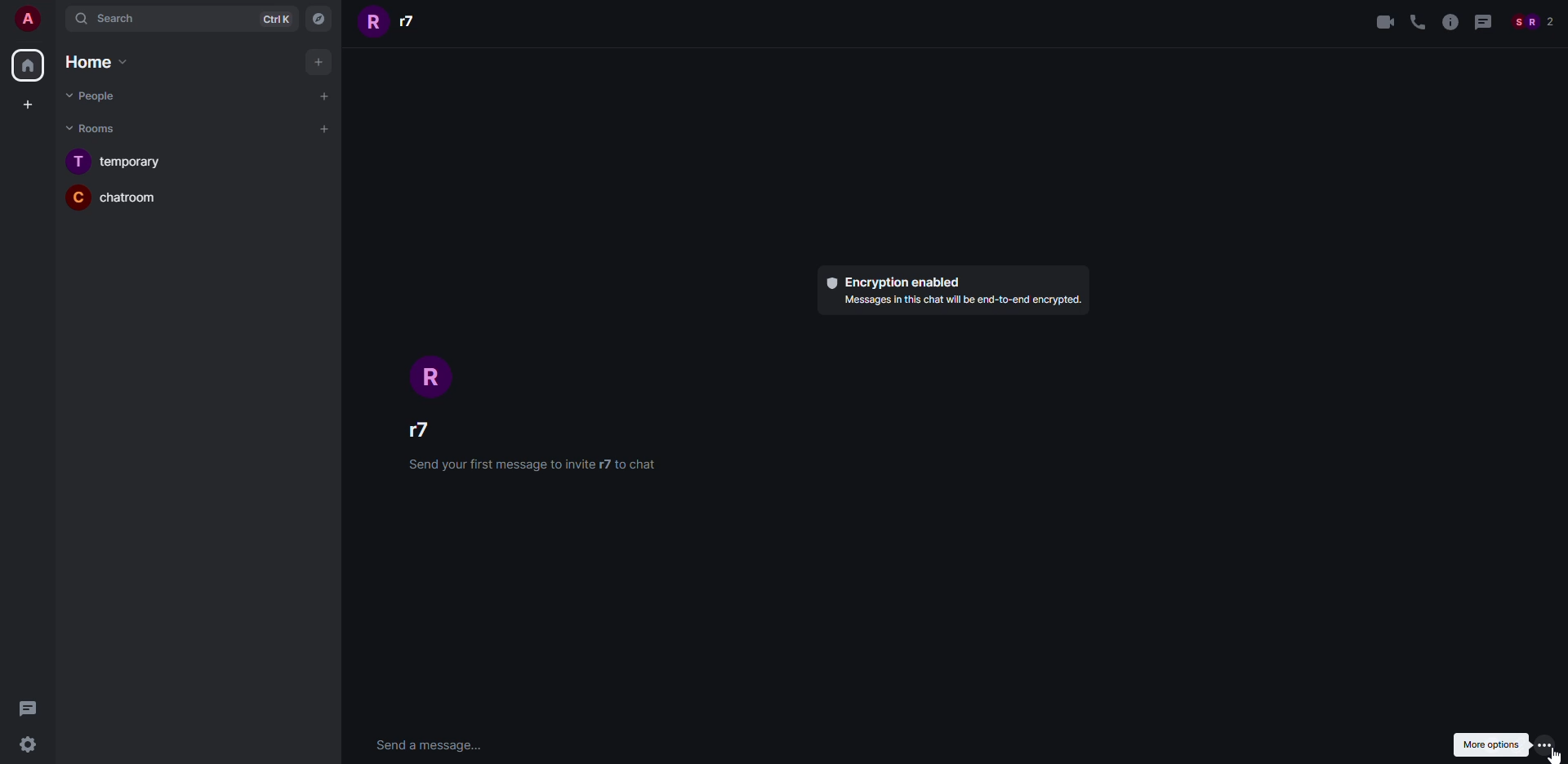 The height and width of the screenshot is (764, 1568). What do you see at coordinates (30, 106) in the screenshot?
I see `Create a space` at bounding box center [30, 106].